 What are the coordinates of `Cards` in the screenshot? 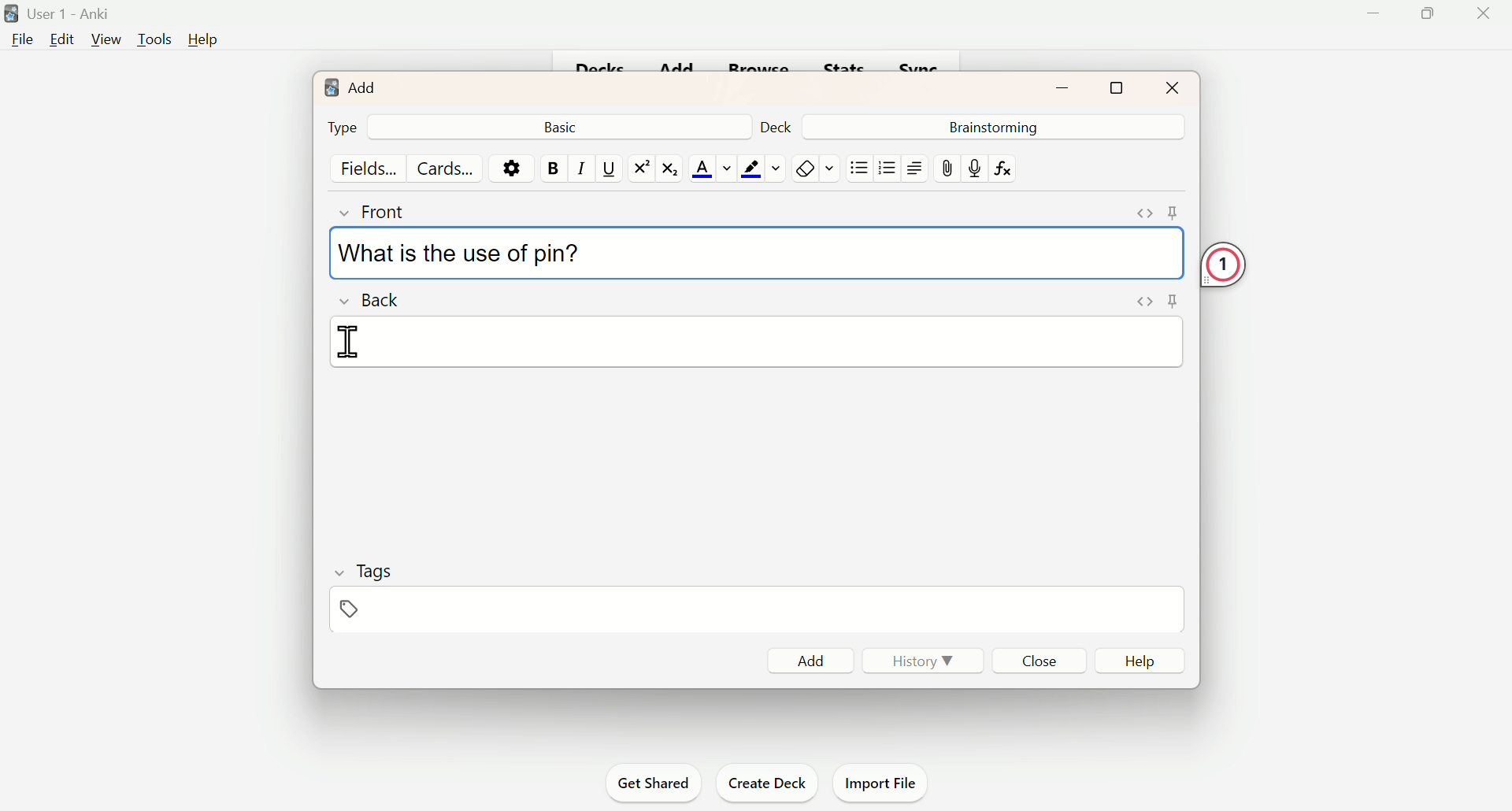 It's located at (445, 168).